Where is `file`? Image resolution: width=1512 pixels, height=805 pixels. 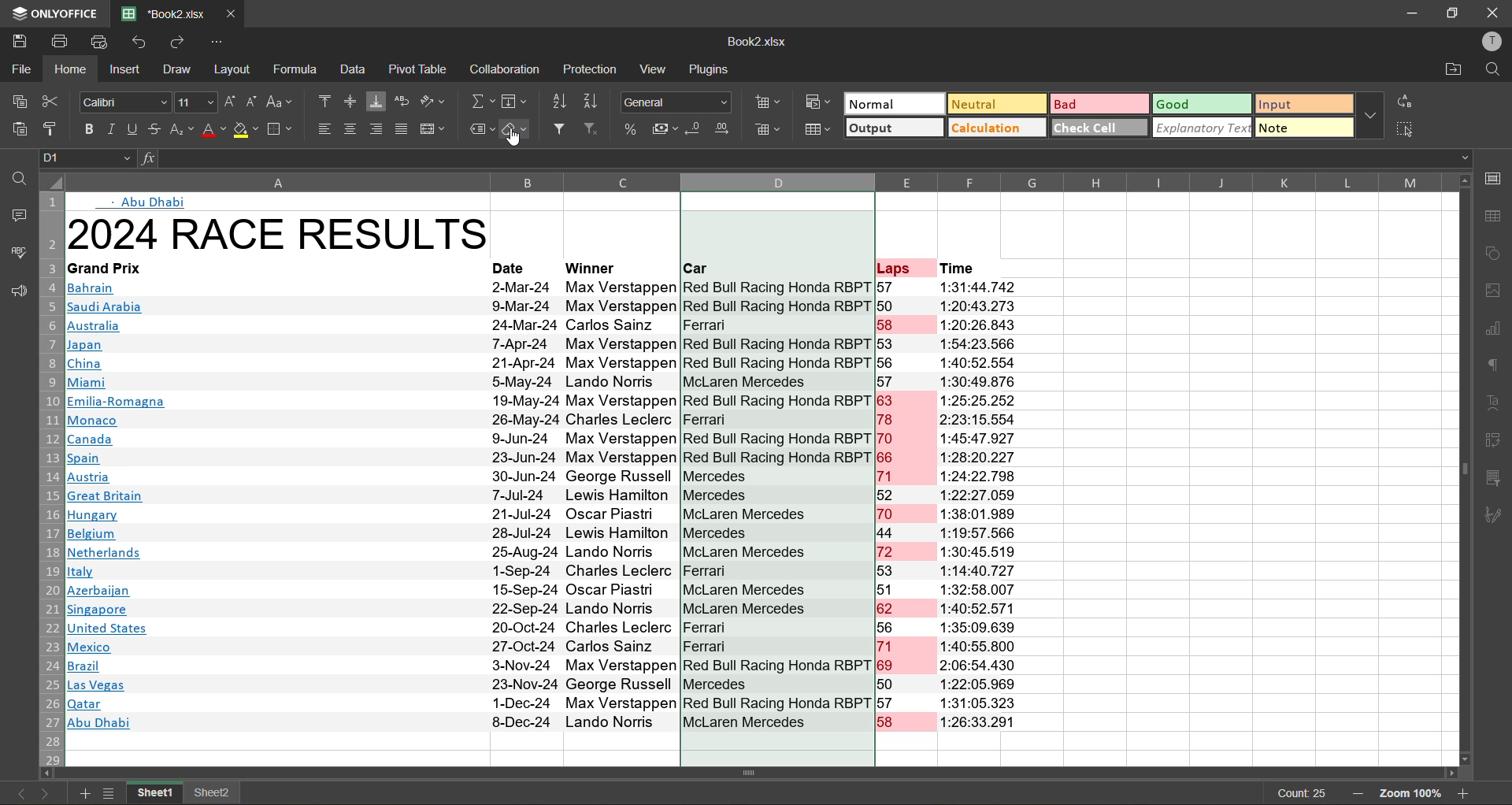
file is located at coordinates (20, 69).